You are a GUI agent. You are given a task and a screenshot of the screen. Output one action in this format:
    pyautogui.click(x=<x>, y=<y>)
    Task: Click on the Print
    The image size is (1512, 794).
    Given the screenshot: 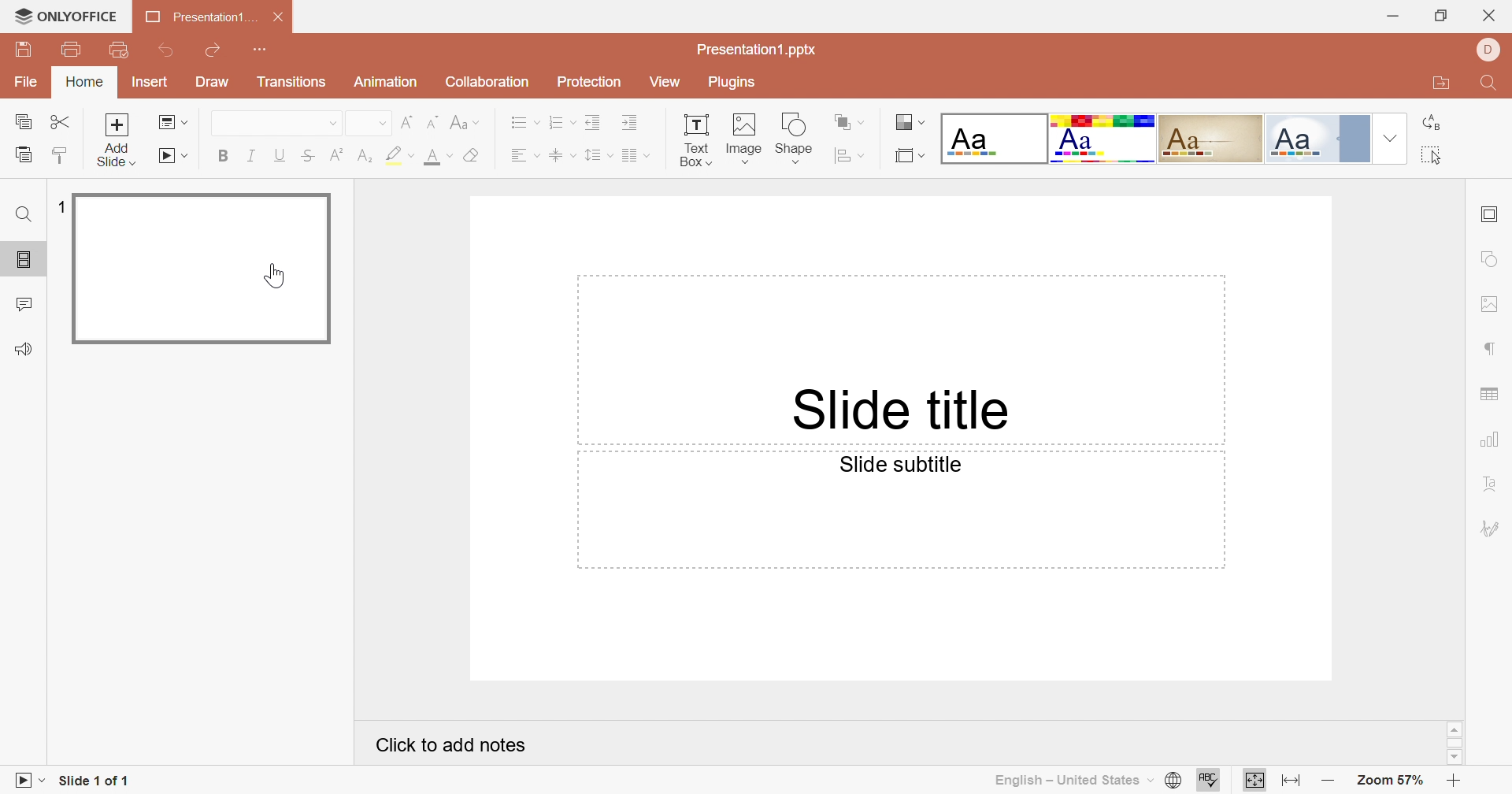 What is the action you would take?
    pyautogui.click(x=74, y=50)
    